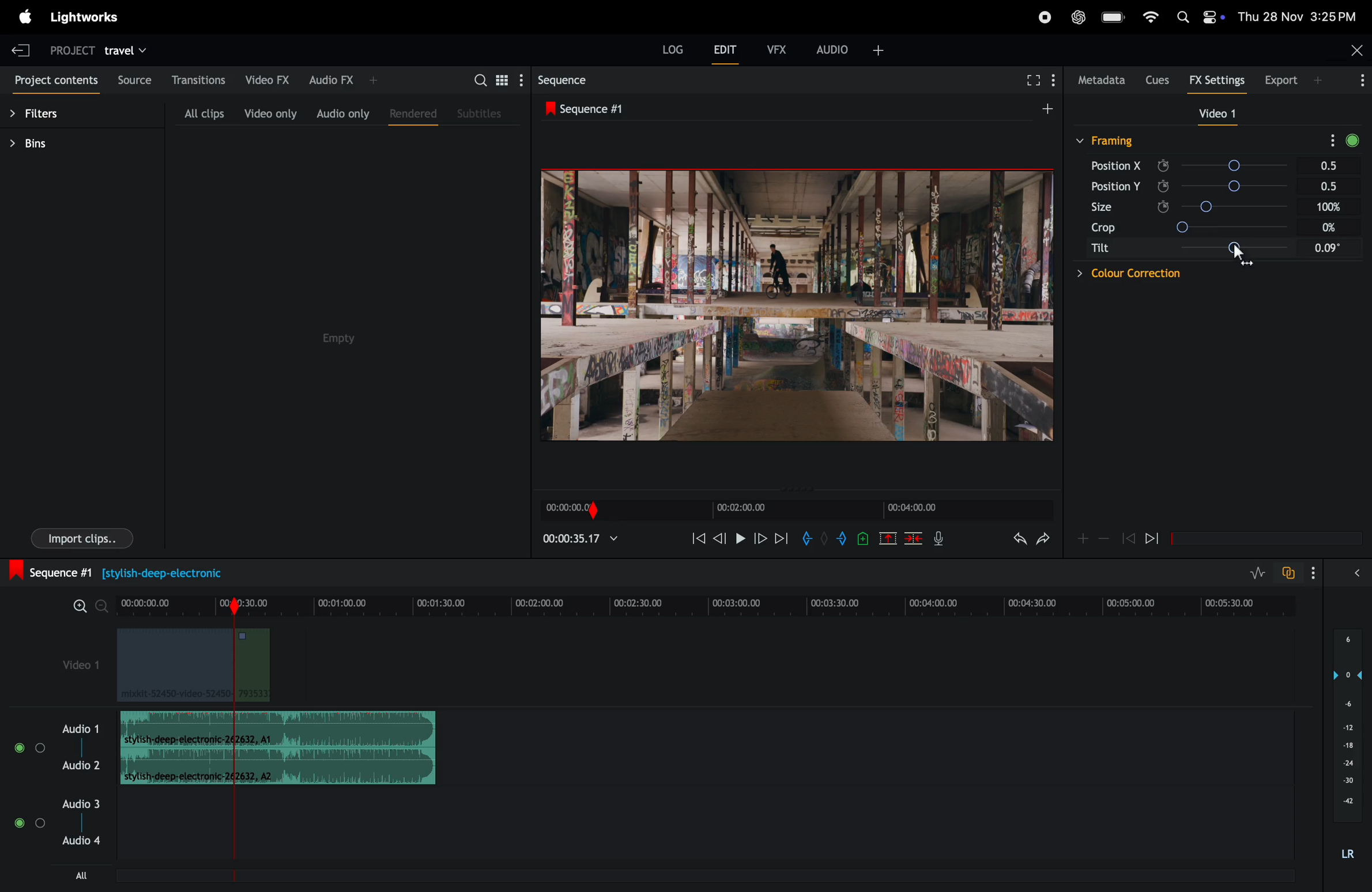 The image size is (1372, 892). What do you see at coordinates (1121, 168) in the screenshot?
I see `position X` at bounding box center [1121, 168].